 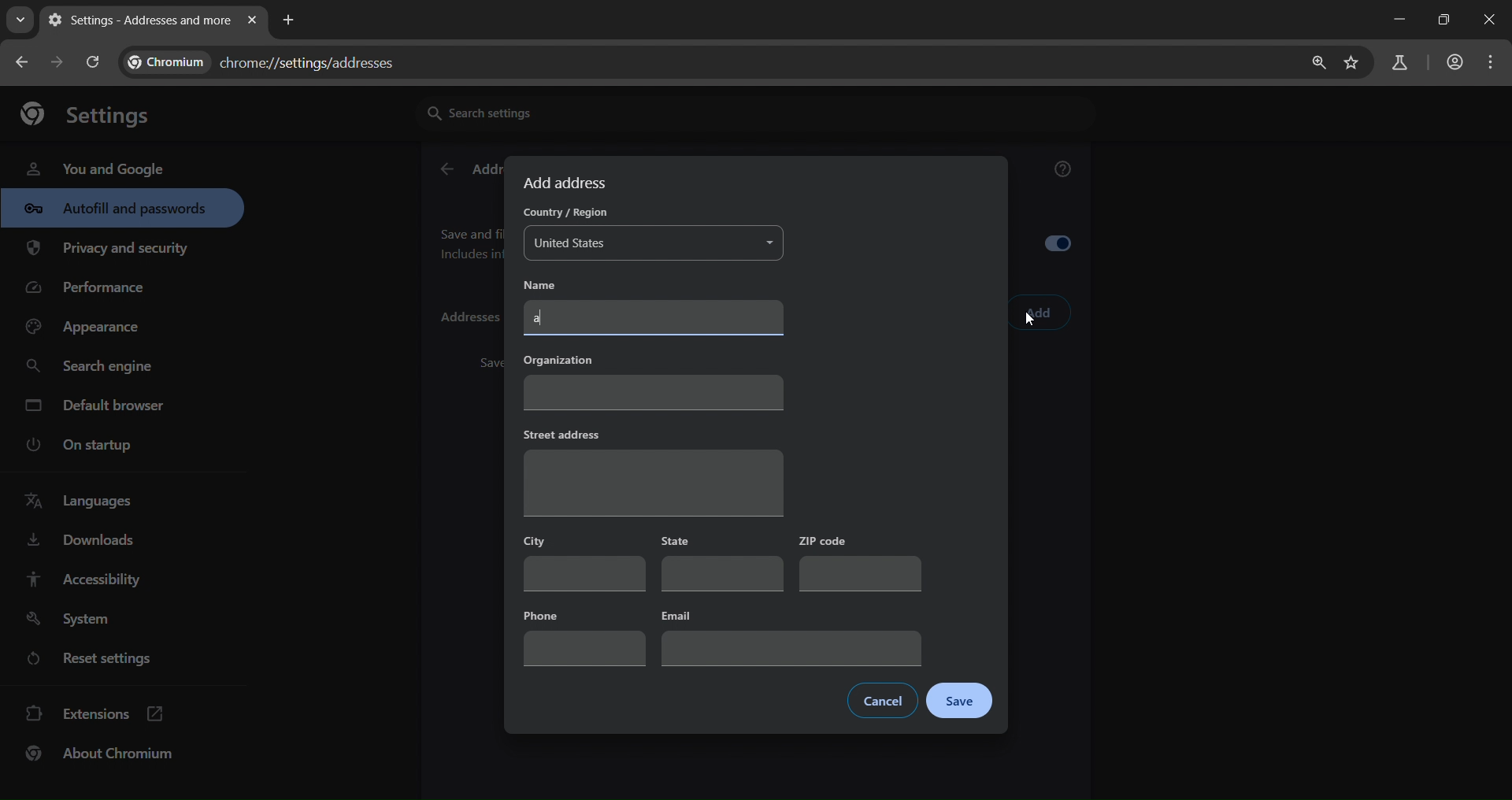 I want to click on restore down, so click(x=1441, y=20).